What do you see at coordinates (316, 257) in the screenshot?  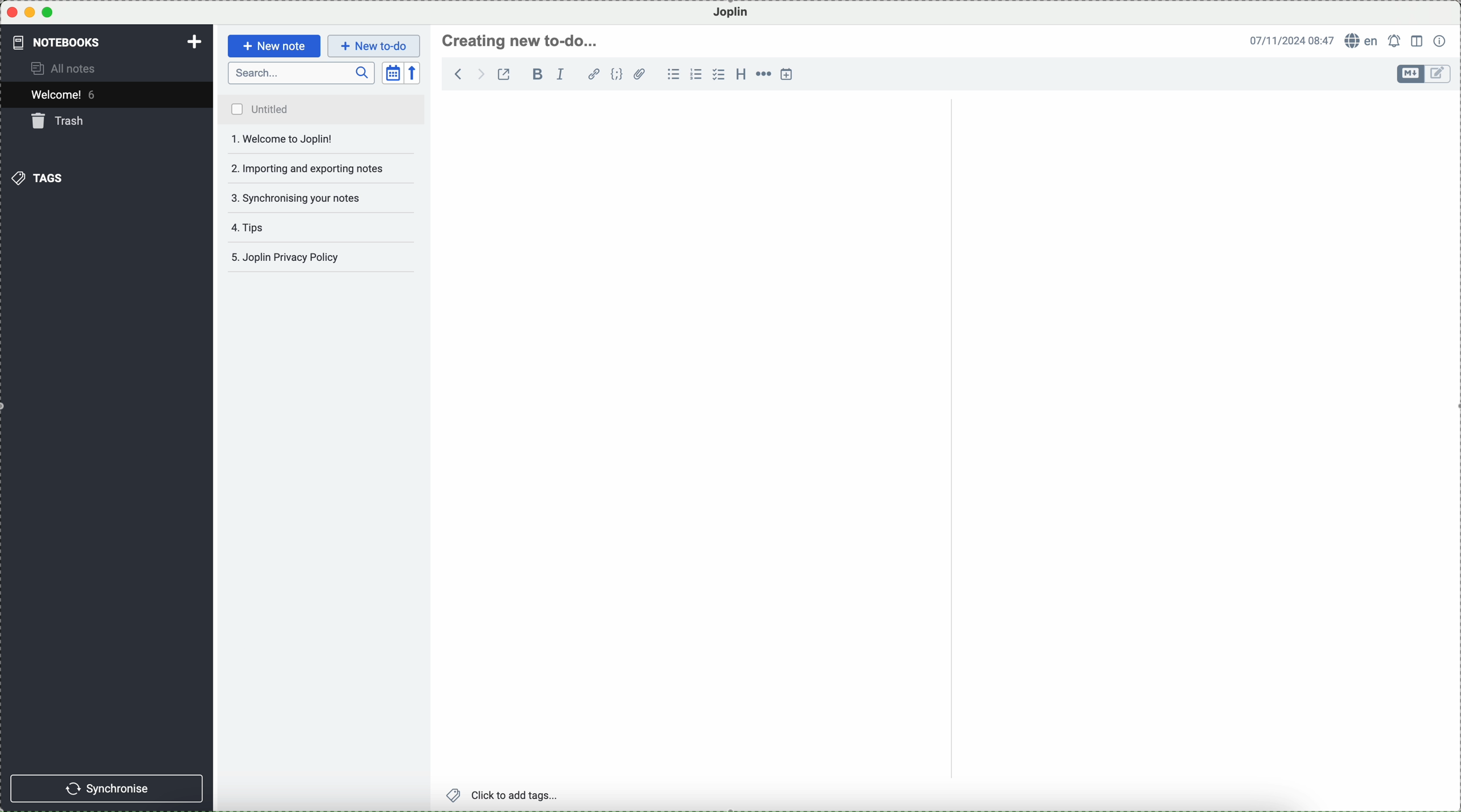 I see `Joplin privacy policy` at bounding box center [316, 257].